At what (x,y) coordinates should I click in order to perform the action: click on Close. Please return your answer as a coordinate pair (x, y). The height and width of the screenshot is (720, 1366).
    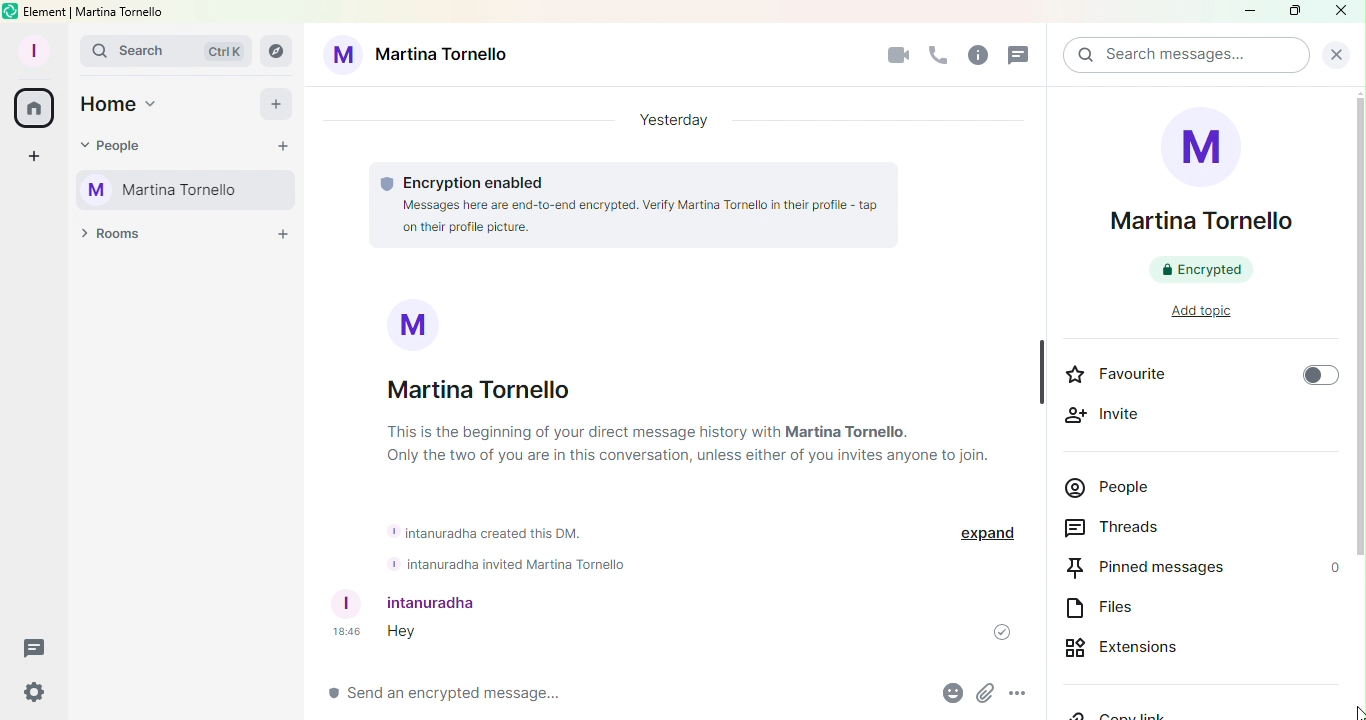
    Looking at the image, I should click on (1343, 11).